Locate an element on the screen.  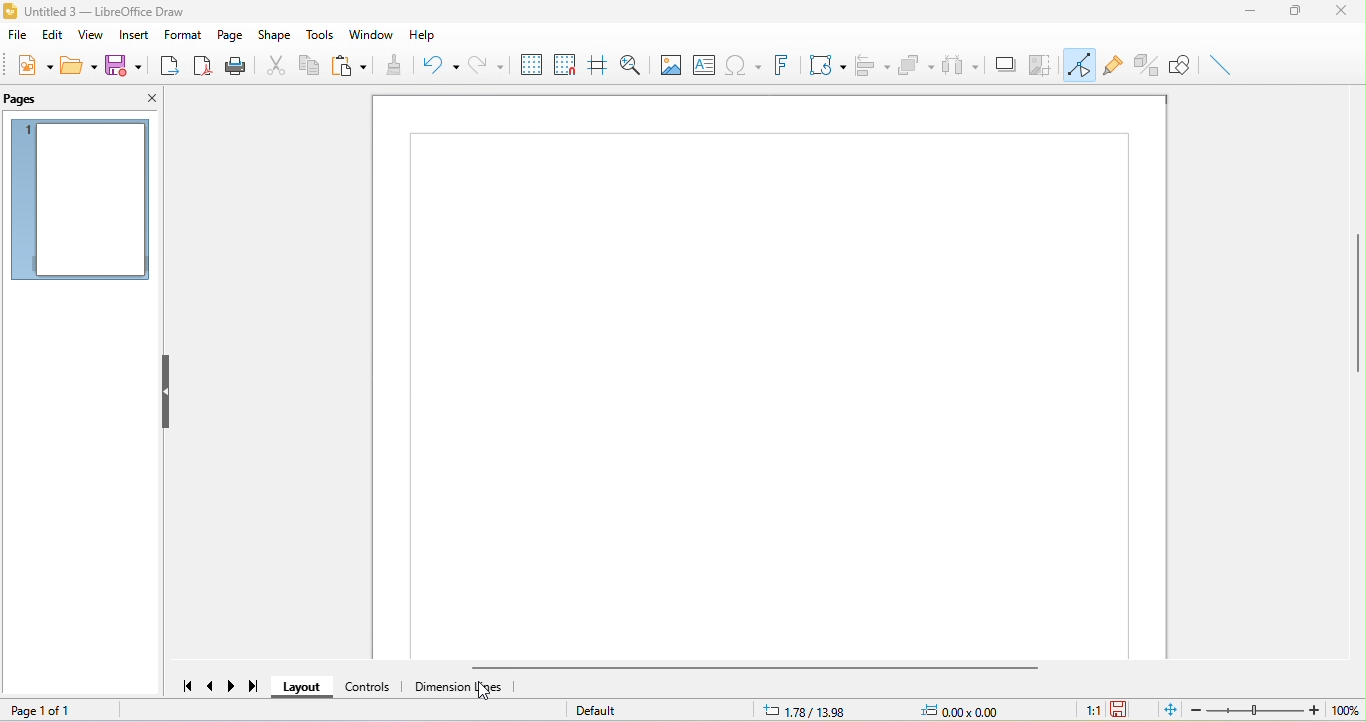
clone formatting is located at coordinates (393, 66).